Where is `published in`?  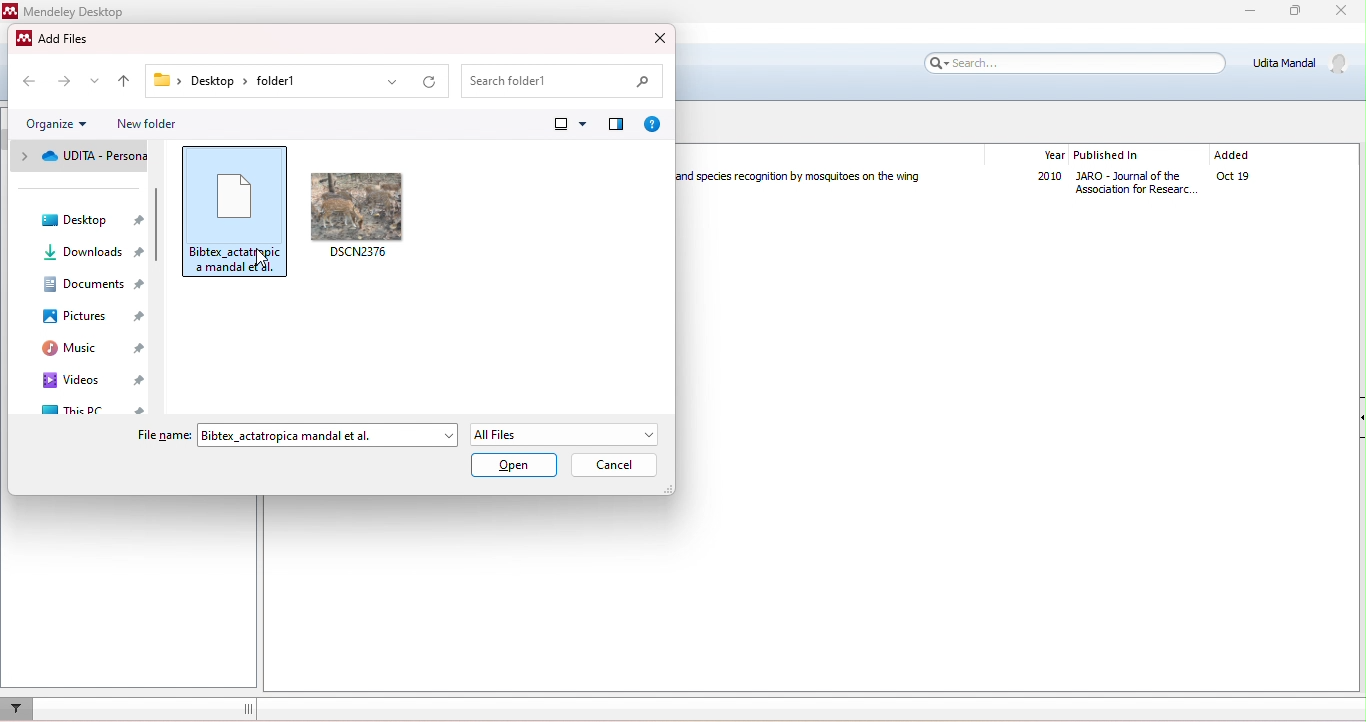 published in is located at coordinates (1112, 156).